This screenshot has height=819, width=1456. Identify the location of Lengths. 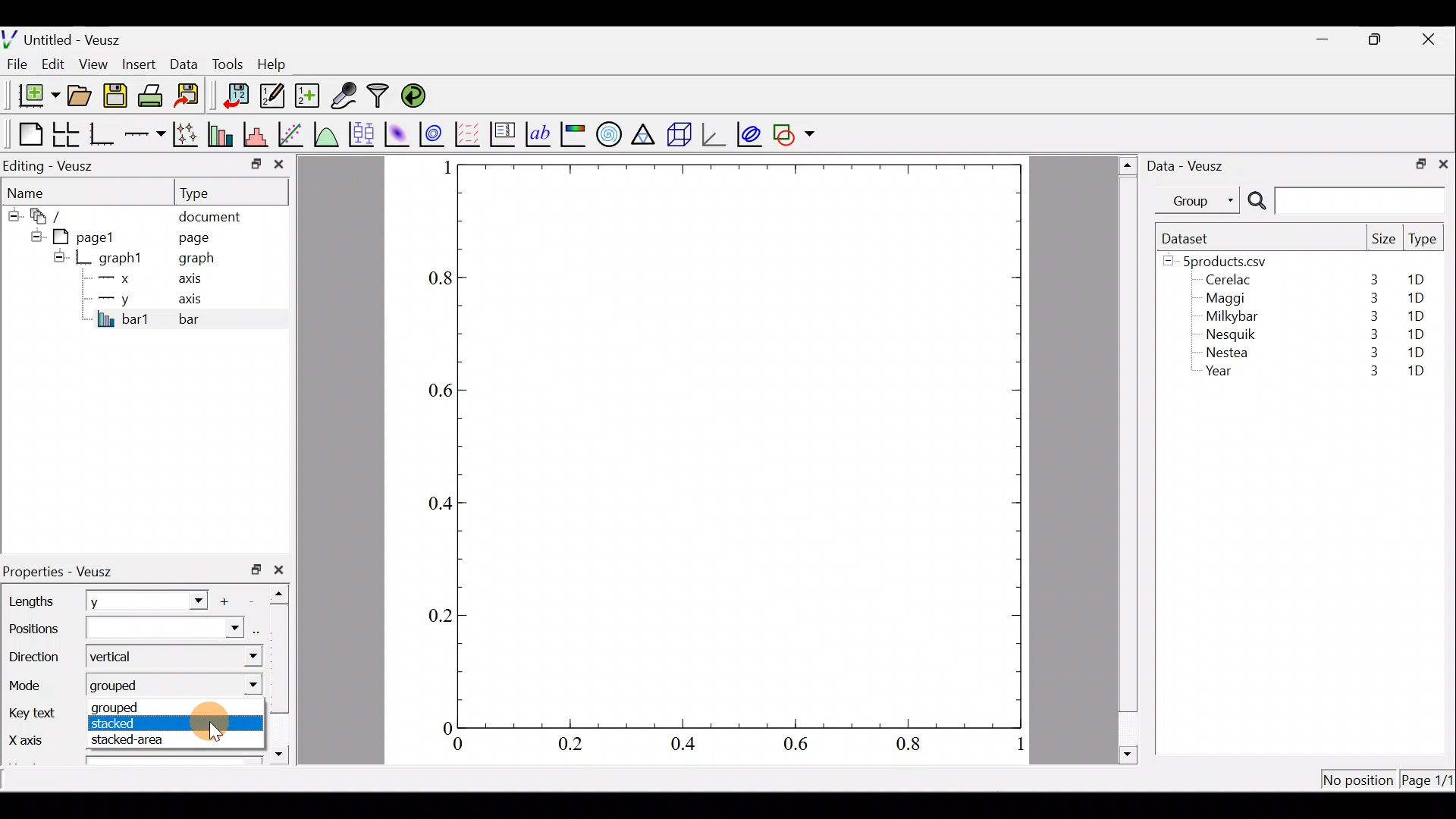
(32, 601).